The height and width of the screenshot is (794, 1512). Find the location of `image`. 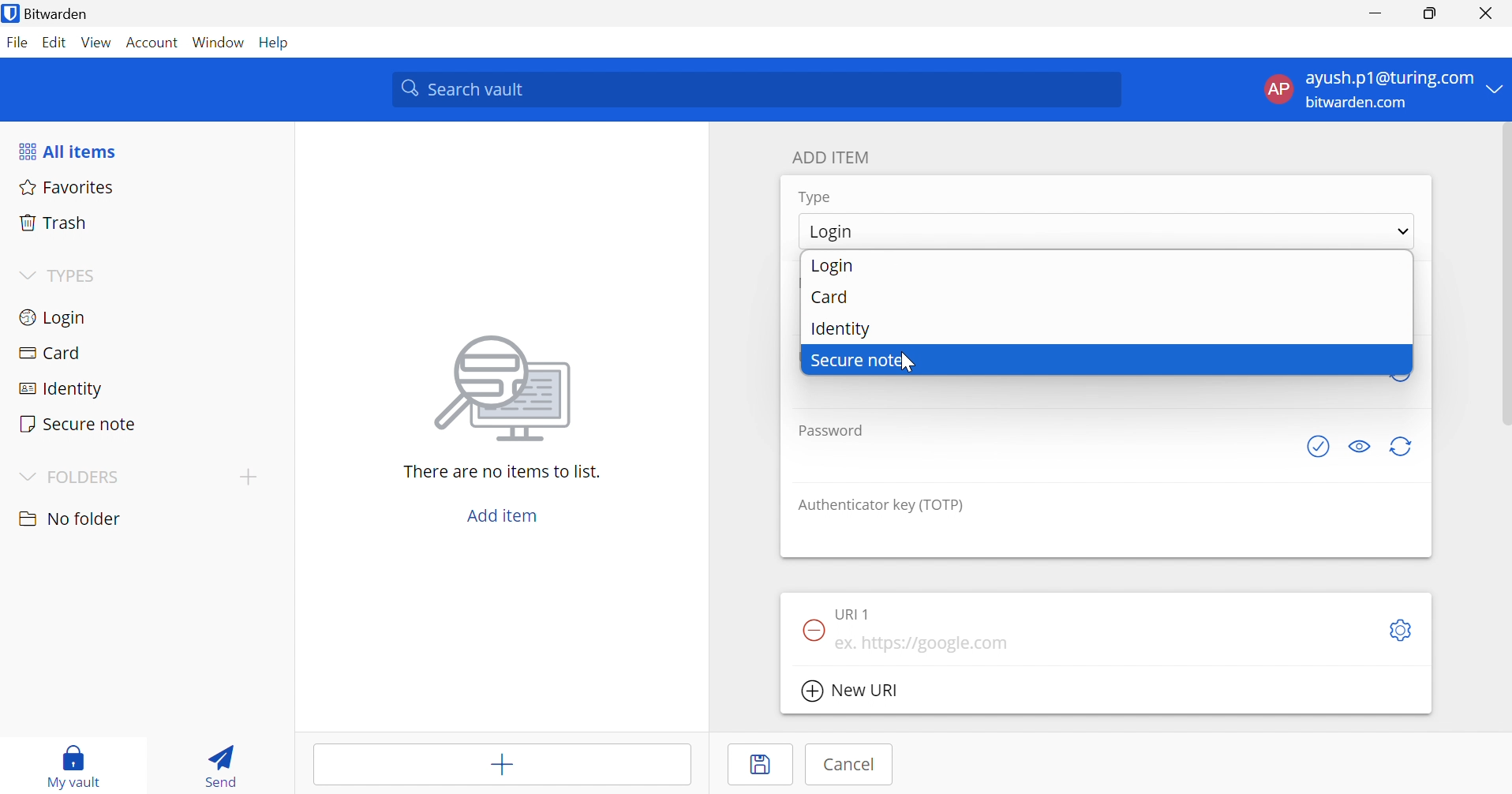

image is located at coordinates (508, 388).